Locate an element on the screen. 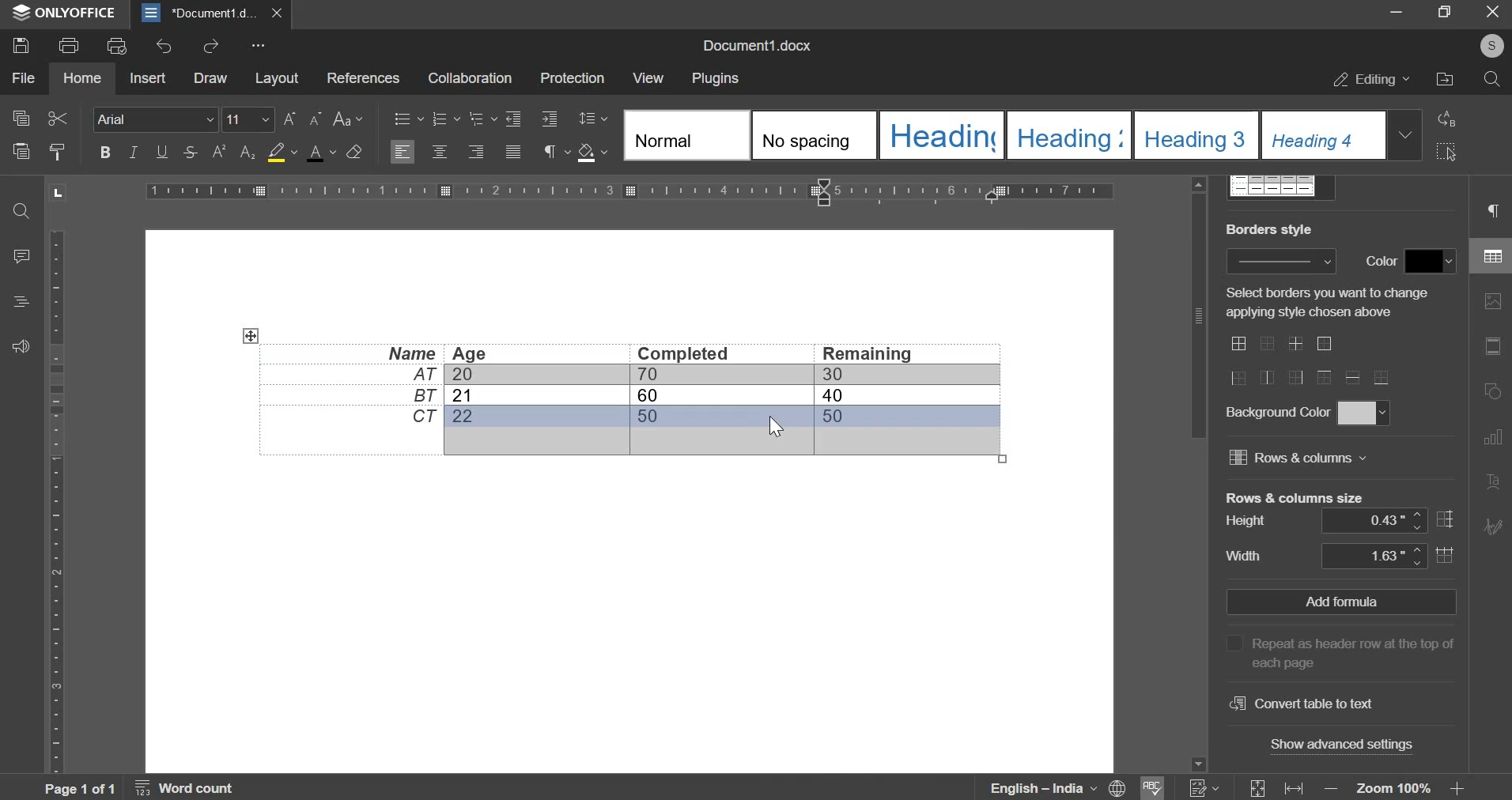 The image size is (1512, 800). numbering is located at coordinates (440, 119).